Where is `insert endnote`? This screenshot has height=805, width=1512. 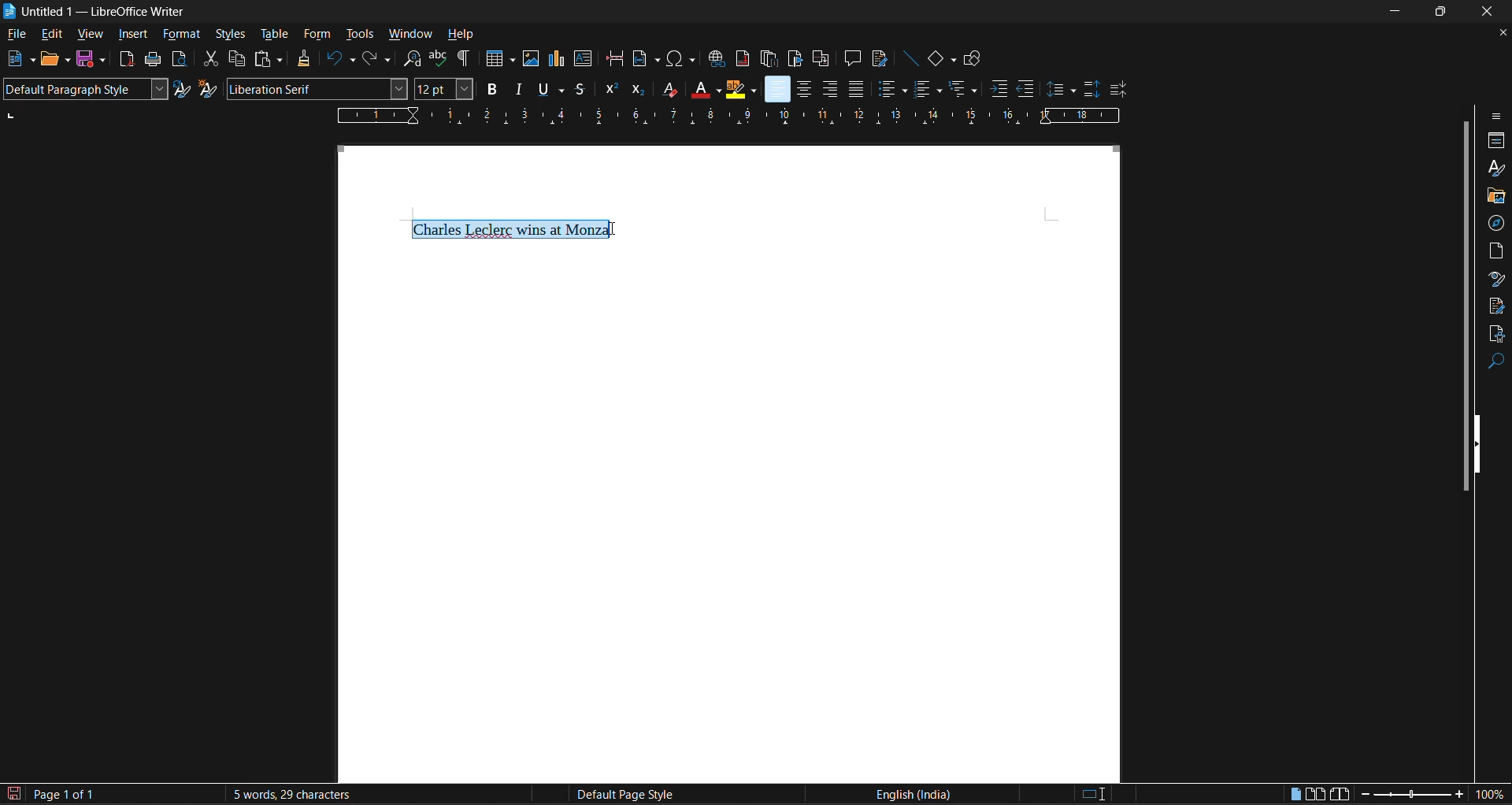
insert endnote is located at coordinates (767, 61).